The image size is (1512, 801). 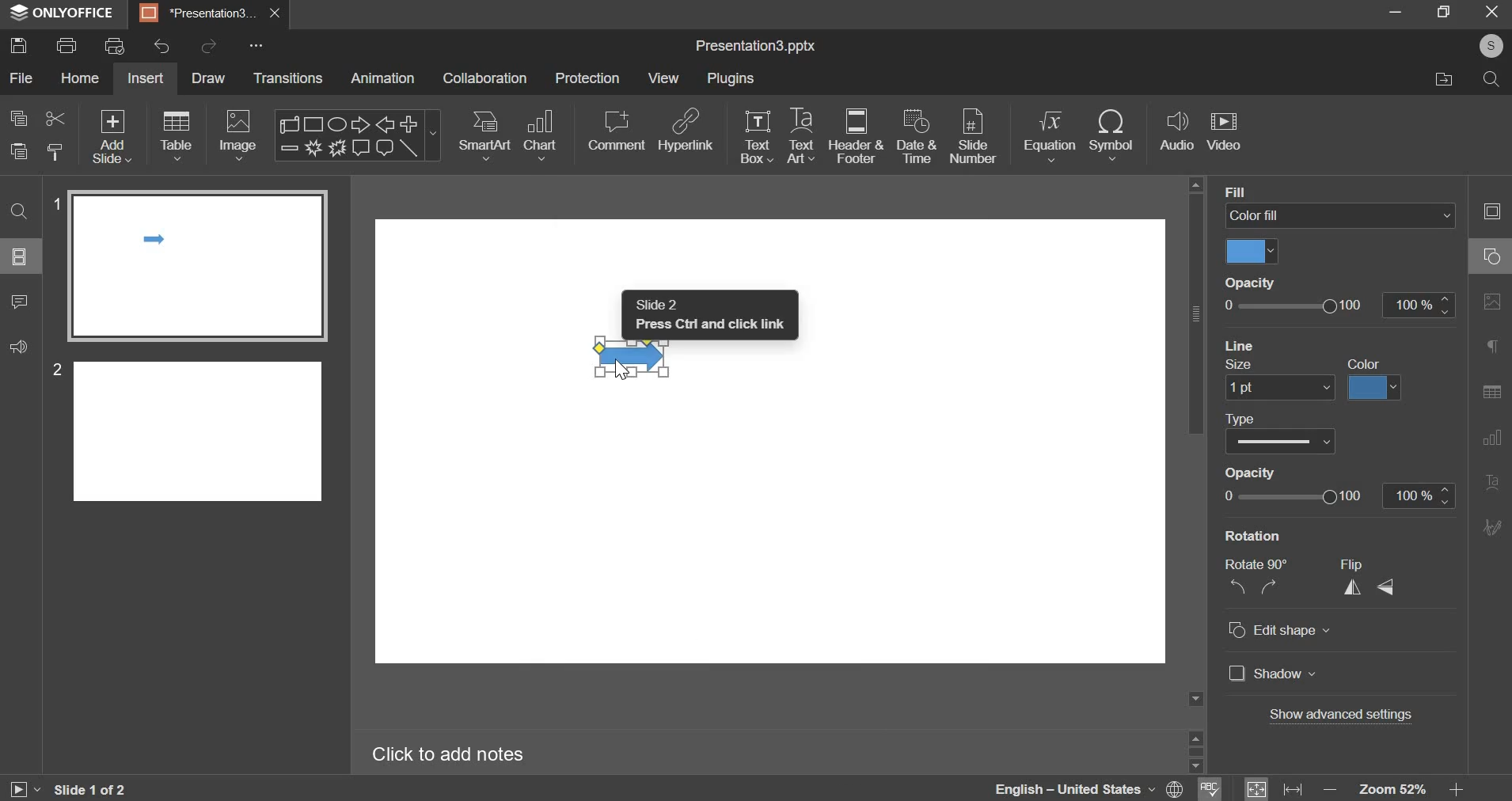 What do you see at coordinates (211, 44) in the screenshot?
I see `redo` at bounding box center [211, 44].